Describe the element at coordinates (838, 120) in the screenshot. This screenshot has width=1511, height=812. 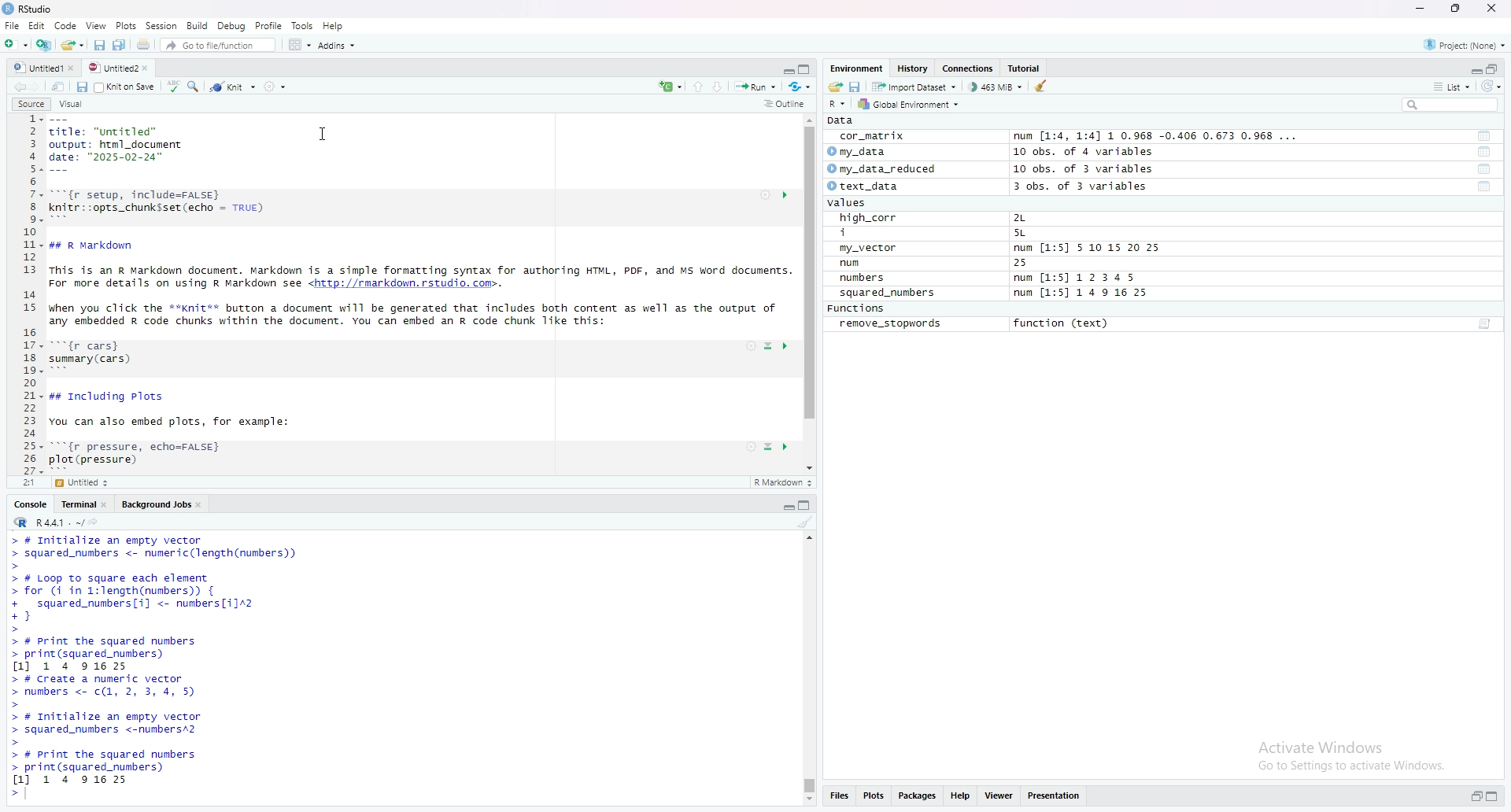
I see `Data` at that location.